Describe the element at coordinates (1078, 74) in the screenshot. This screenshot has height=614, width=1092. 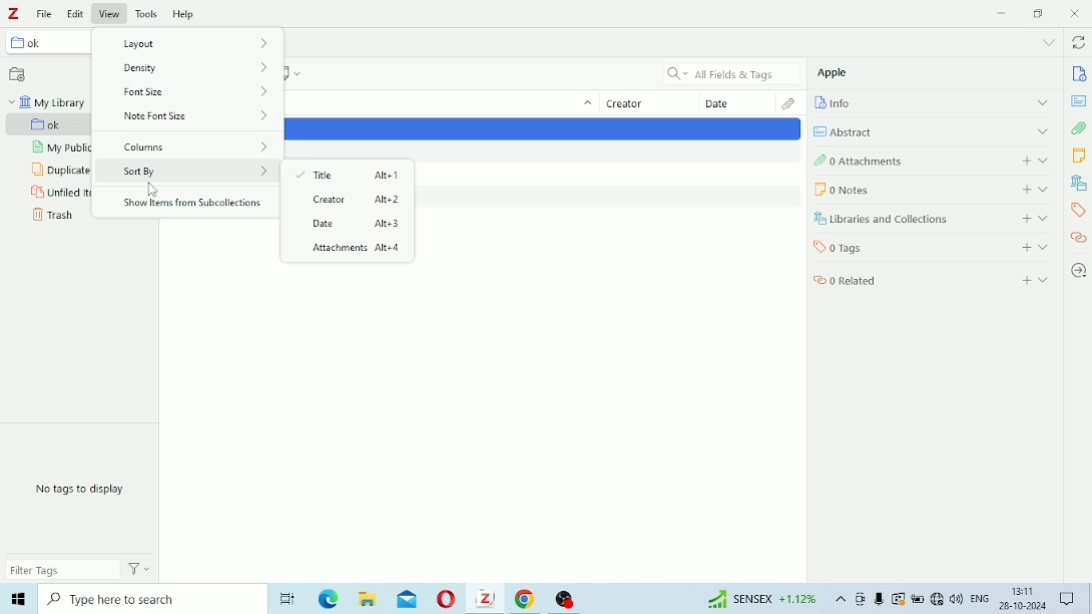
I see `Info` at that location.